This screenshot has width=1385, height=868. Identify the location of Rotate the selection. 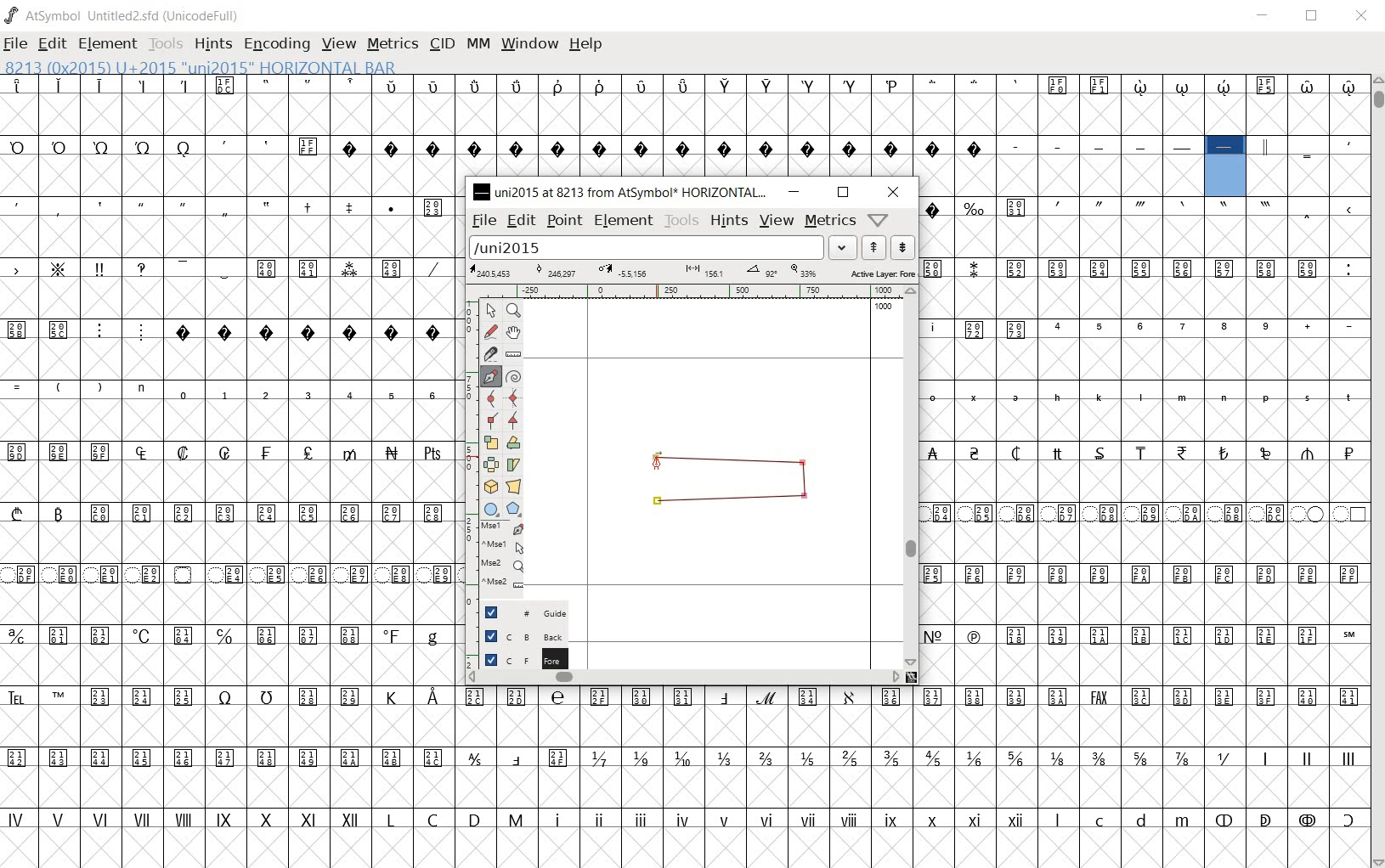
(515, 442).